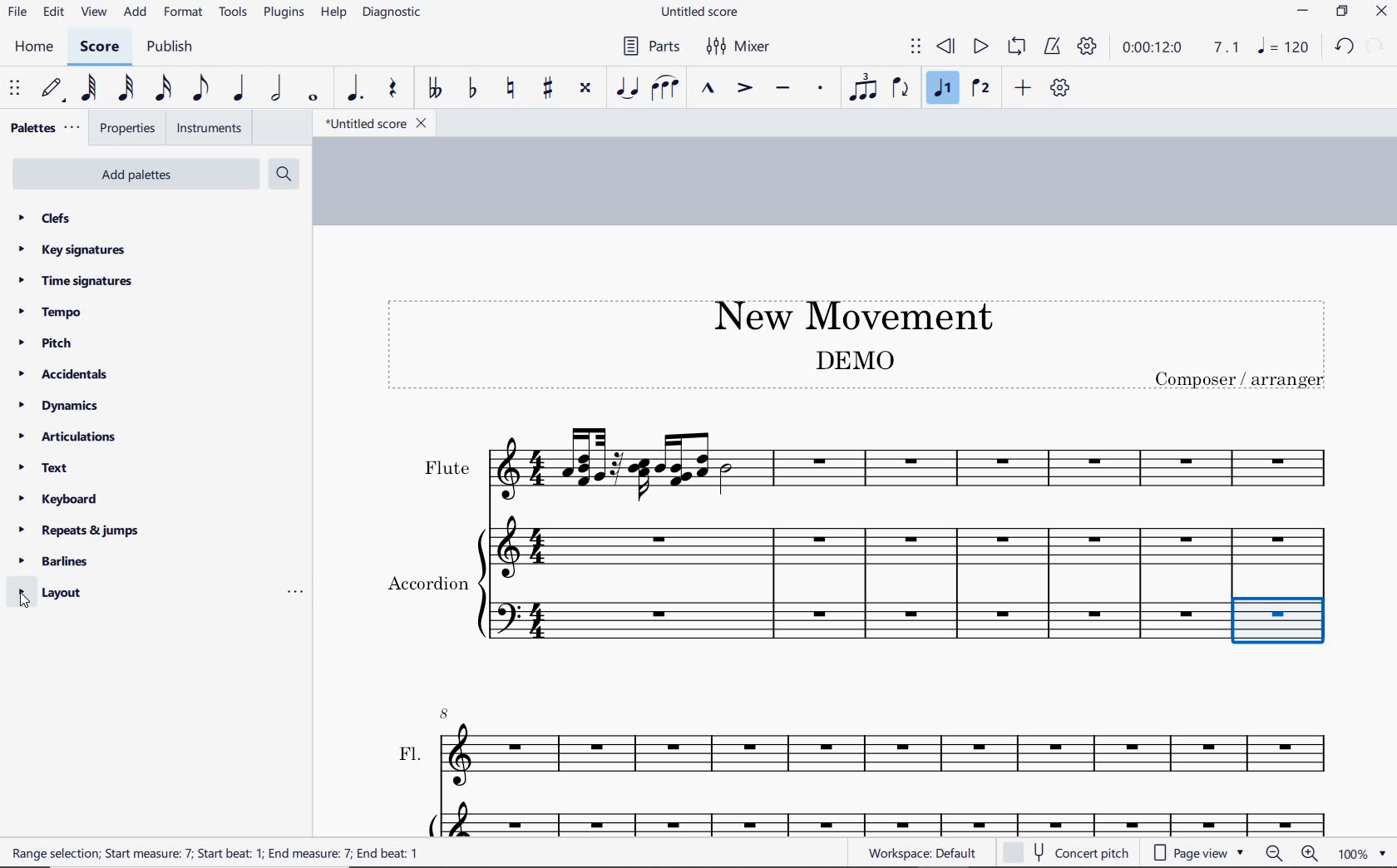  Describe the element at coordinates (1068, 851) in the screenshot. I see `concert pitch` at that location.